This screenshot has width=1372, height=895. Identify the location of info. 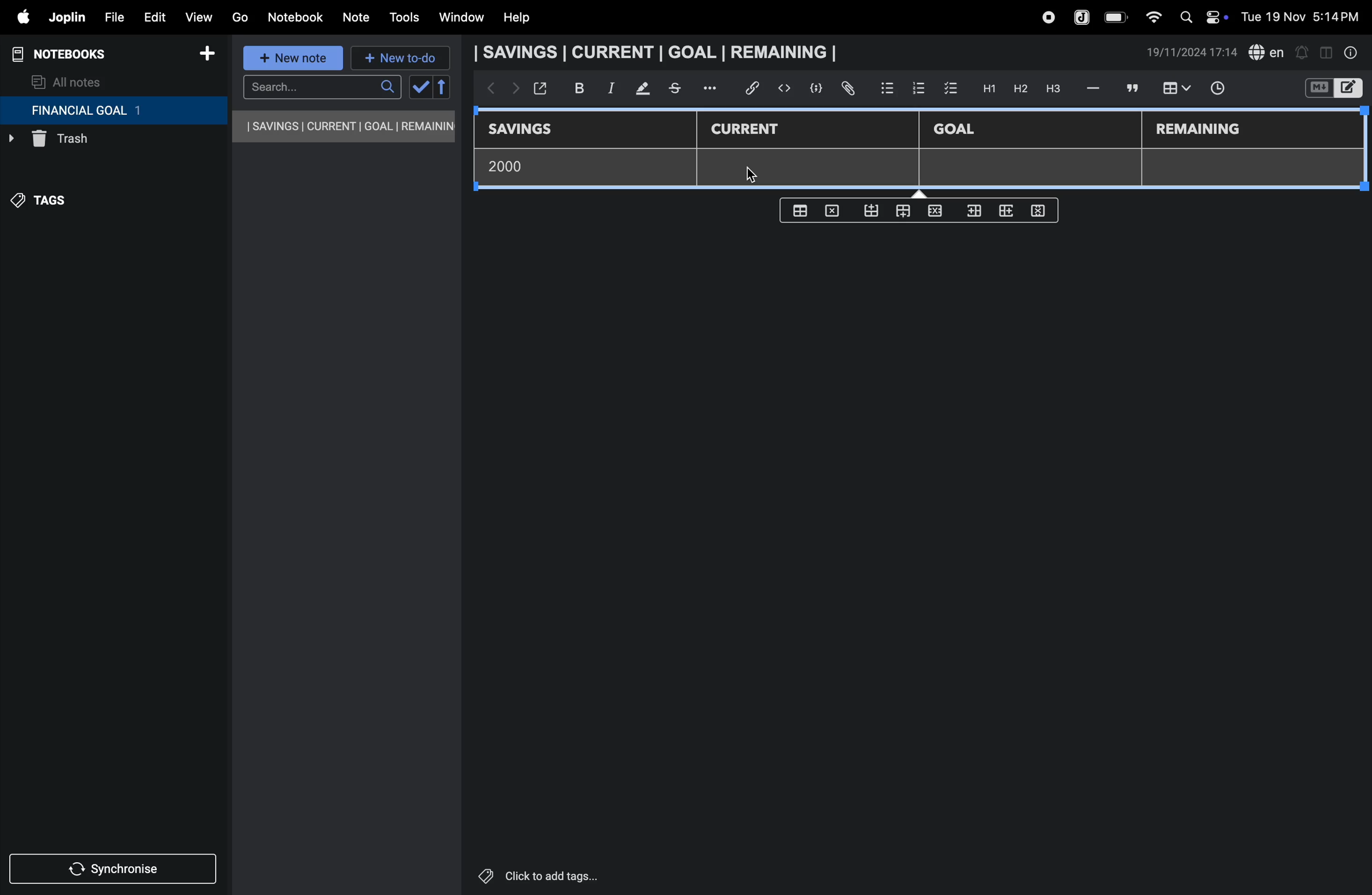
(1352, 52).